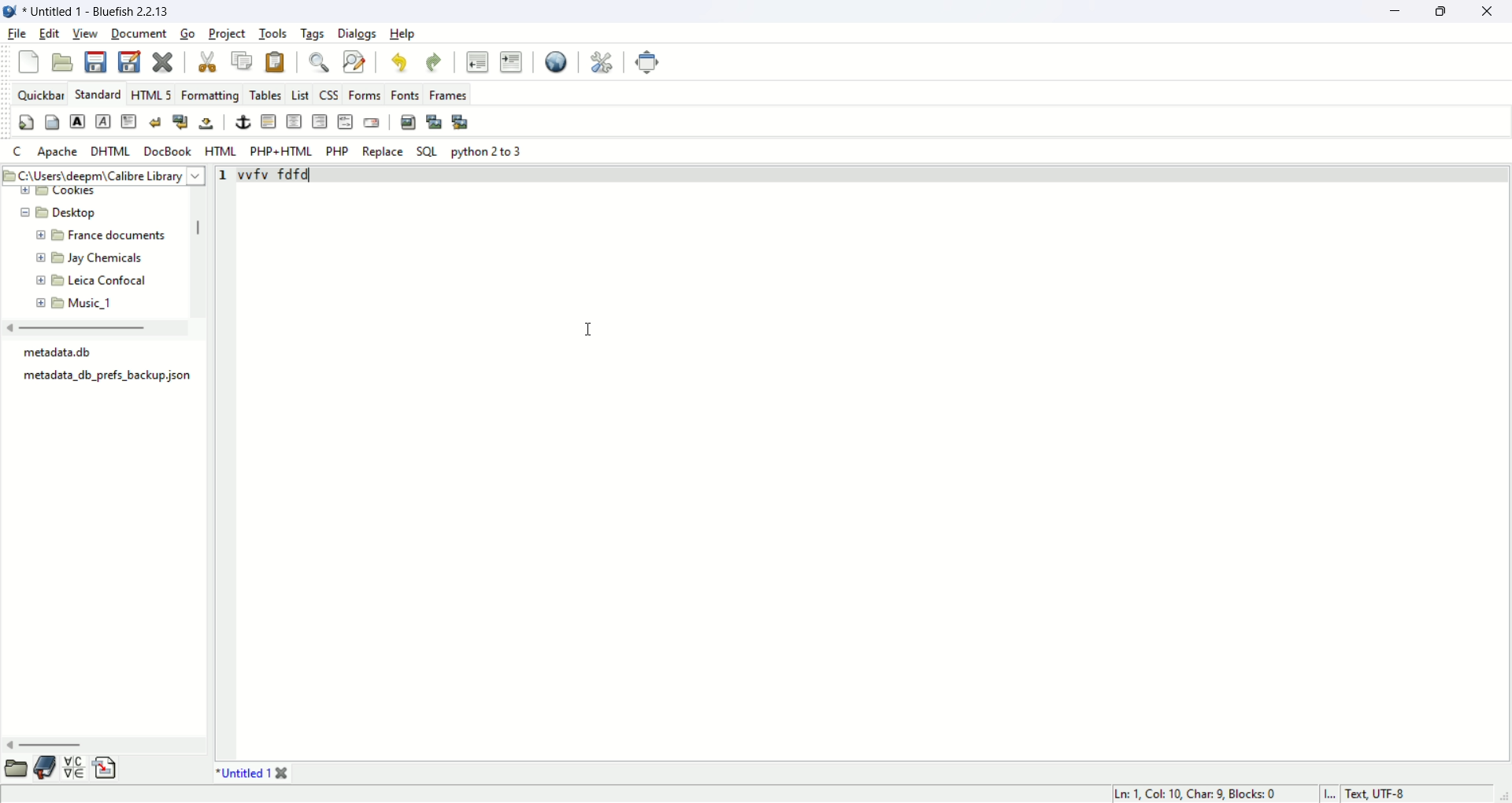 This screenshot has height=803, width=1512. I want to click on undo, so click(399, 61).